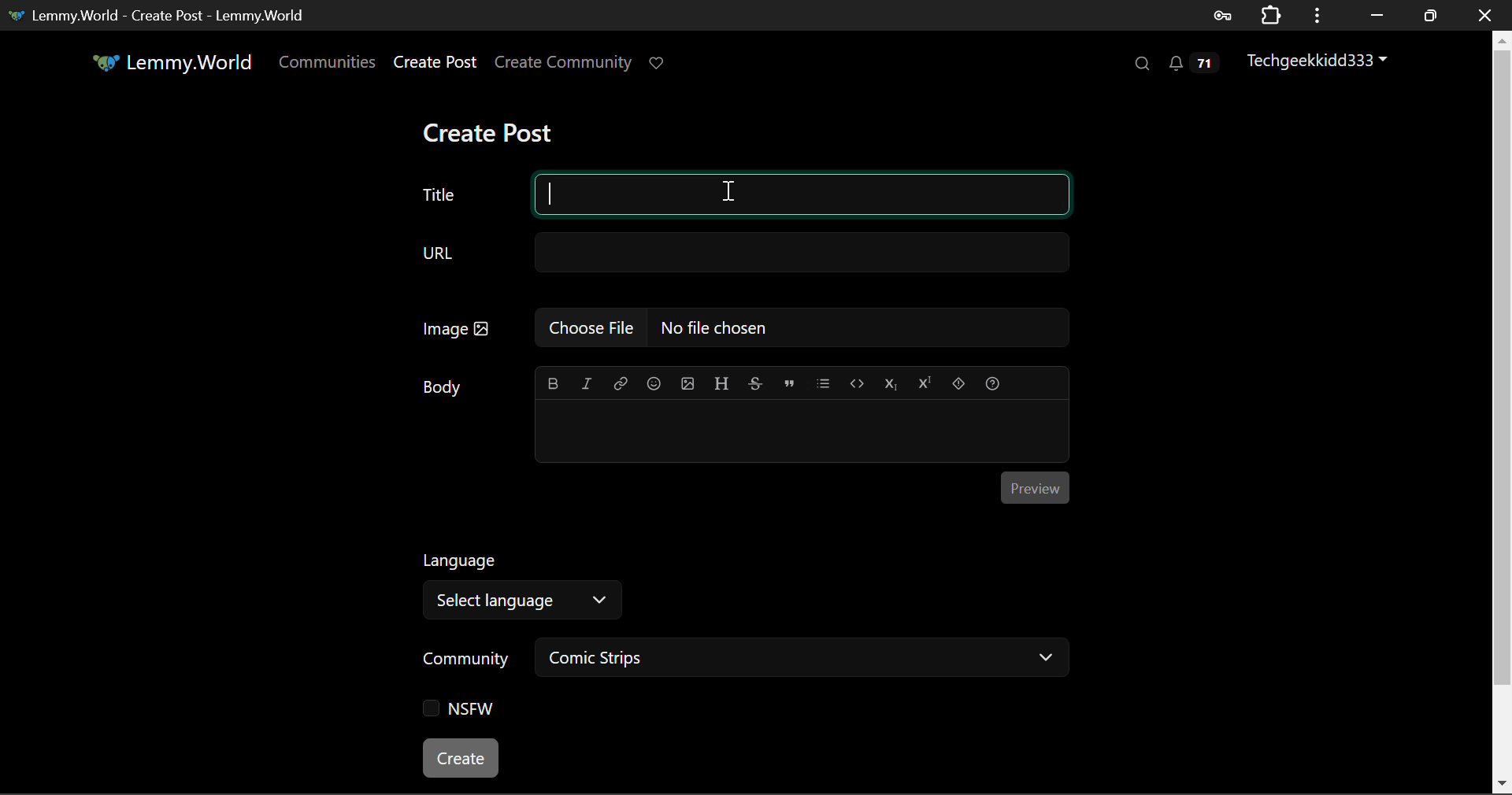 This screenshot has height=795, width=1512. I want to click on Scroll Bar, so click(1503, 411).